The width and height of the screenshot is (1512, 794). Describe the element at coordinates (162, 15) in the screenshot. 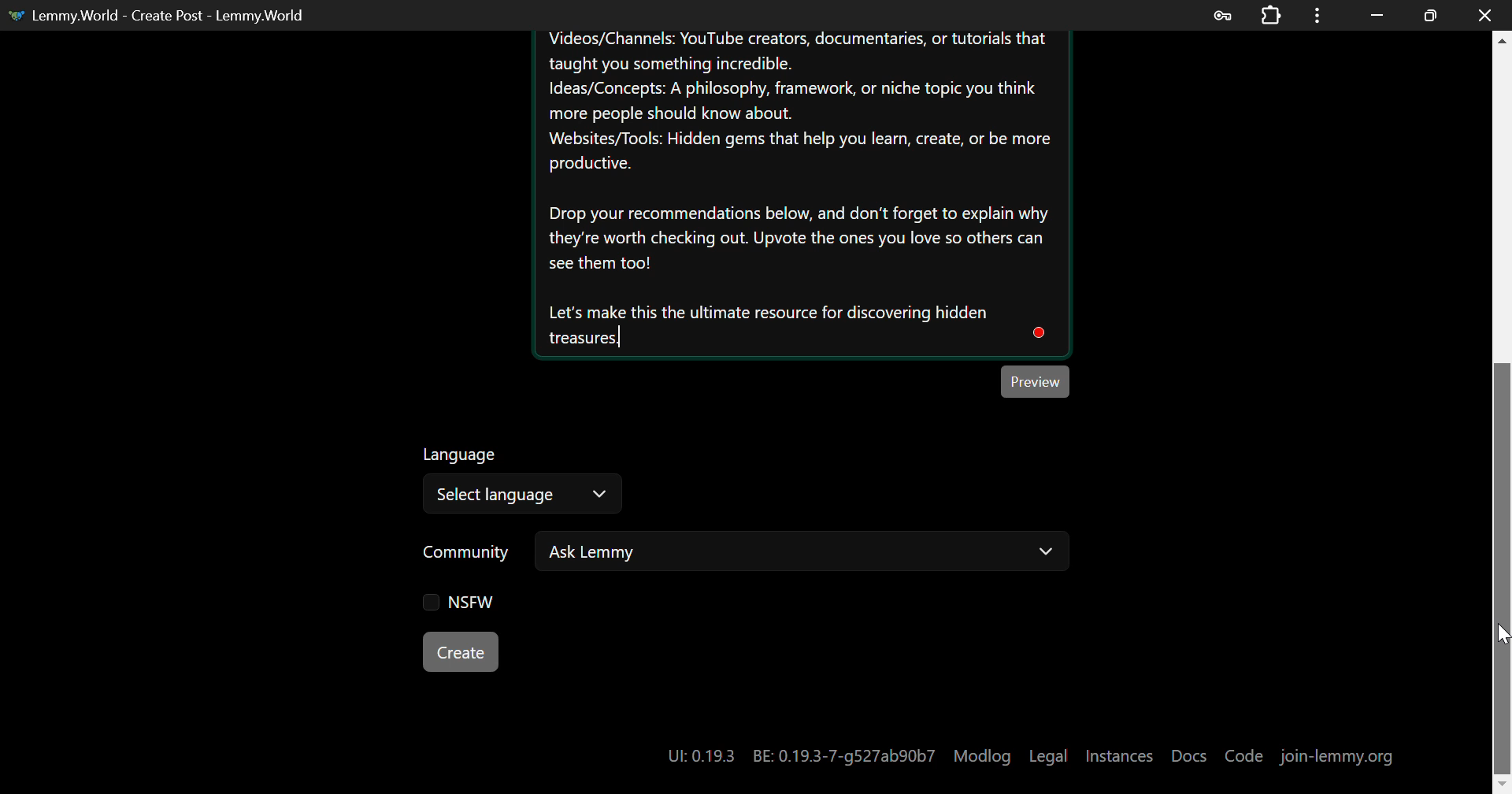

I see `Lemmy.World - Create Post - Lemmy.World` at that location.